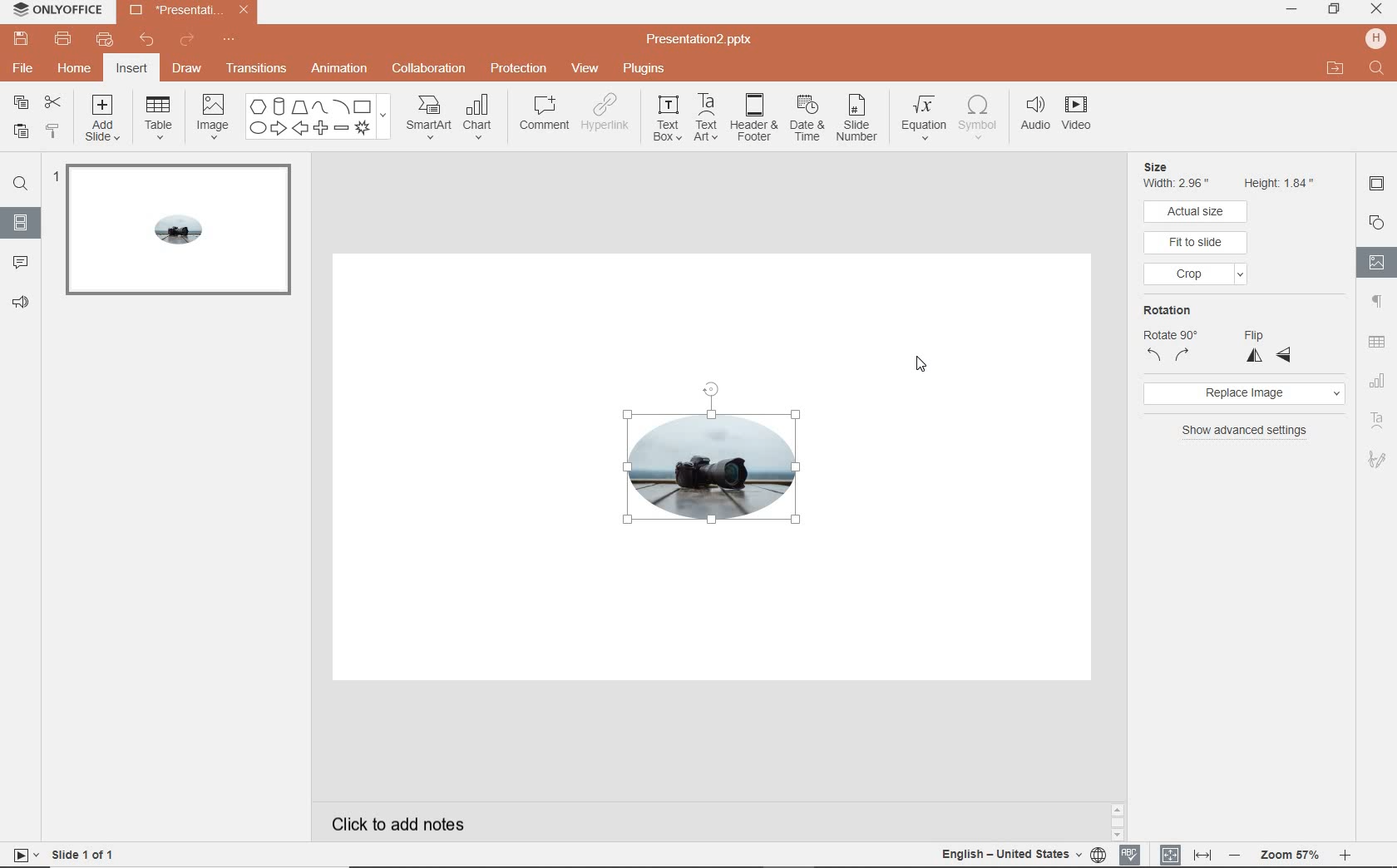 This screenshot has height=868, width=1397. I want to click on videos, so click(1076, 116).